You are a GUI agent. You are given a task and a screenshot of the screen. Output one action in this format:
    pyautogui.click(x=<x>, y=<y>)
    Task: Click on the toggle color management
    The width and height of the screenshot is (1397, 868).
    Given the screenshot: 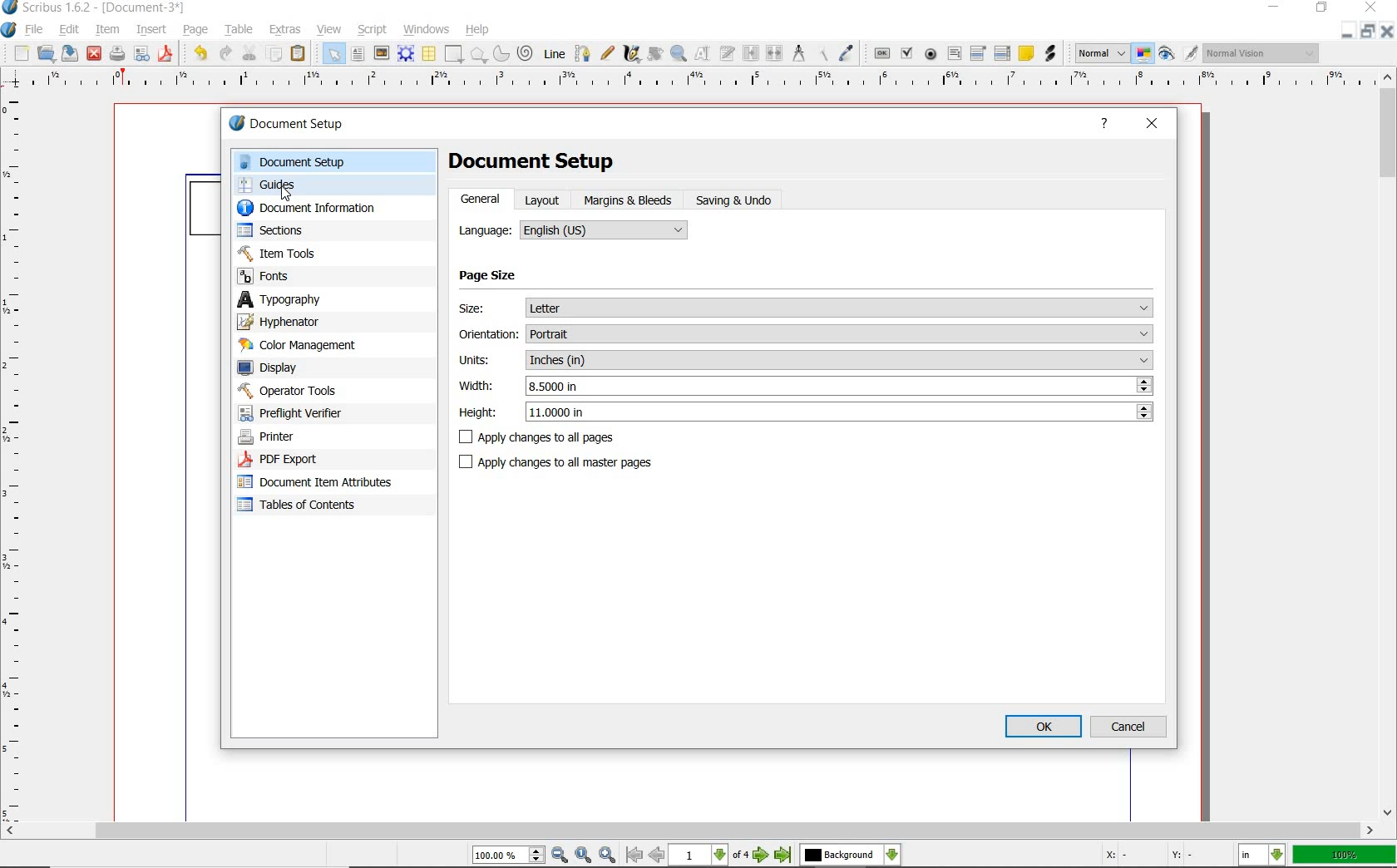 What is the action you would take?
    pyautogui.click(x=1143, y=54)
    